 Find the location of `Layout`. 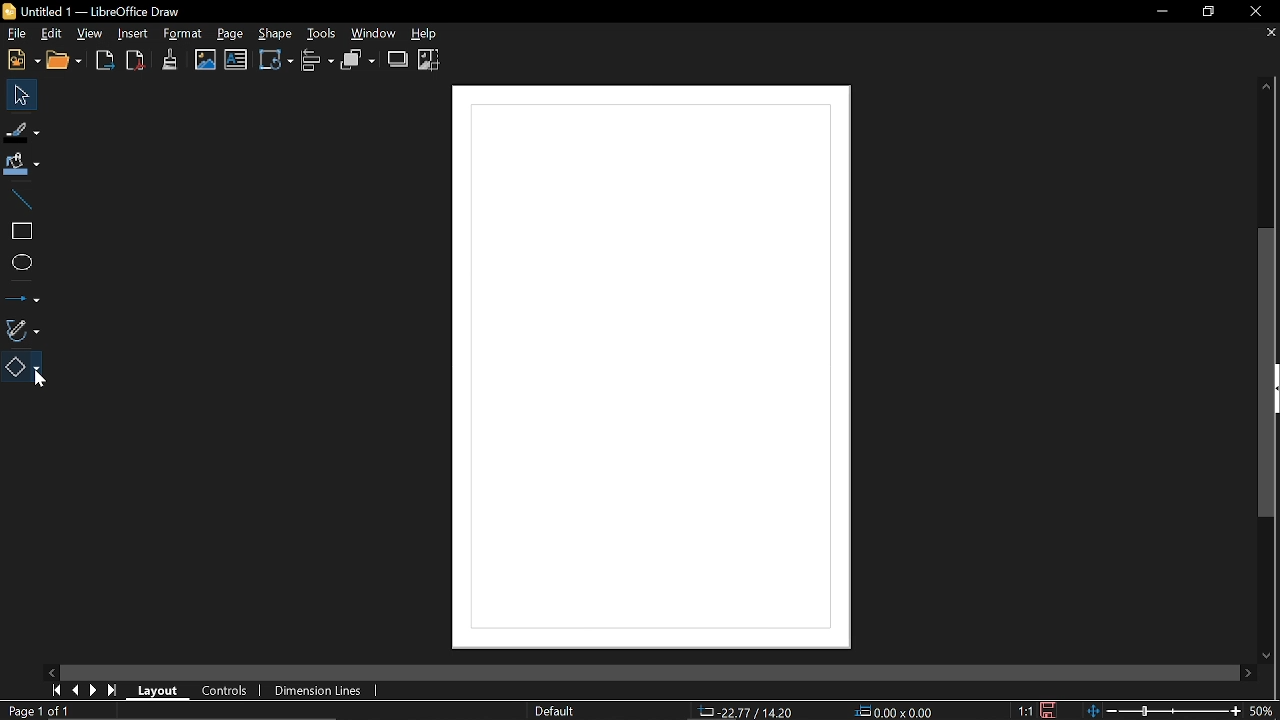

Layout is located at coordinates (155, 689).